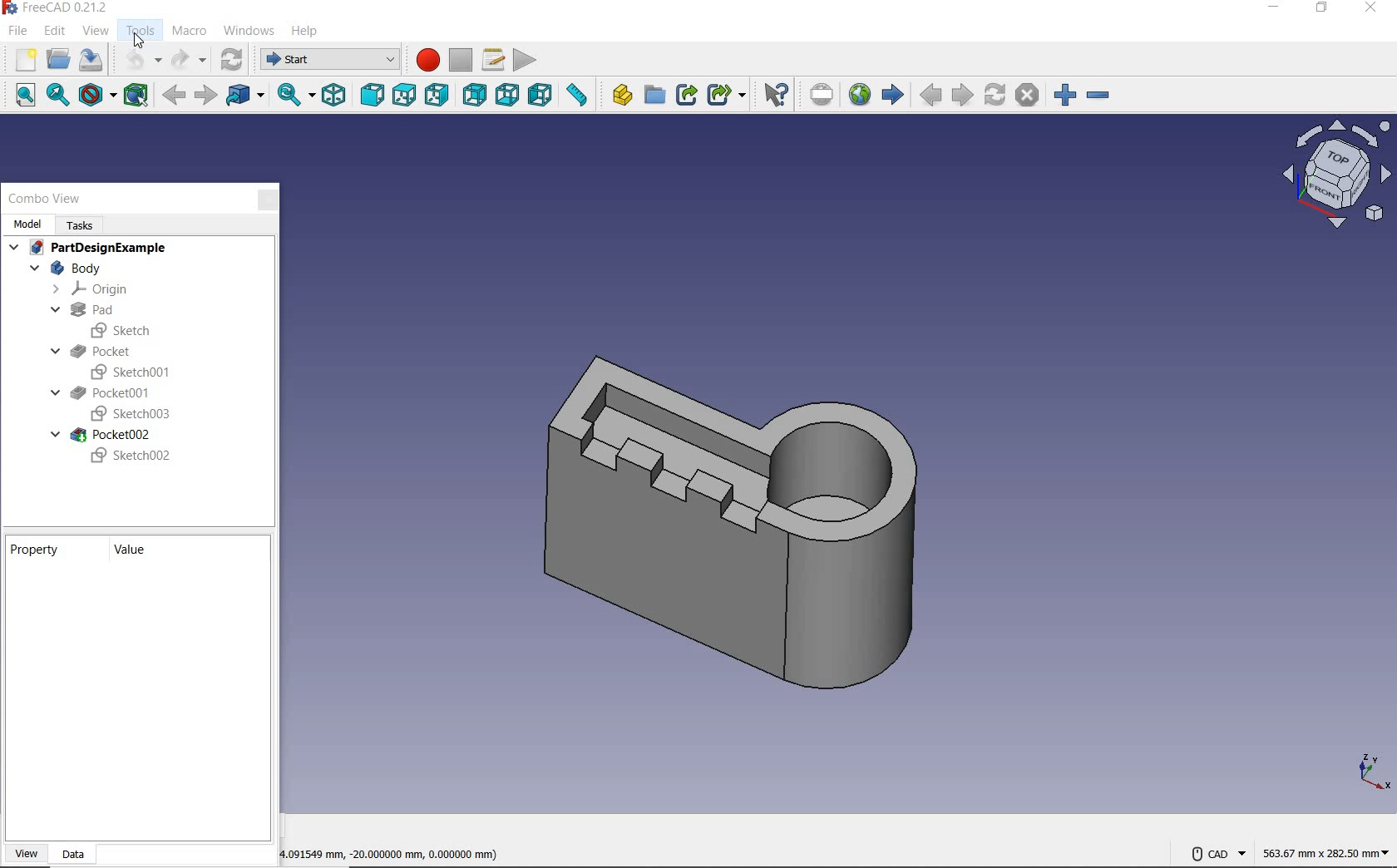 Image resolution: width=1397 pixels, height=868 pixels. What do you see at coordinates (1335, 174) in the screenshot?
I see `Workbench view` at bounding box center [1335, 174].